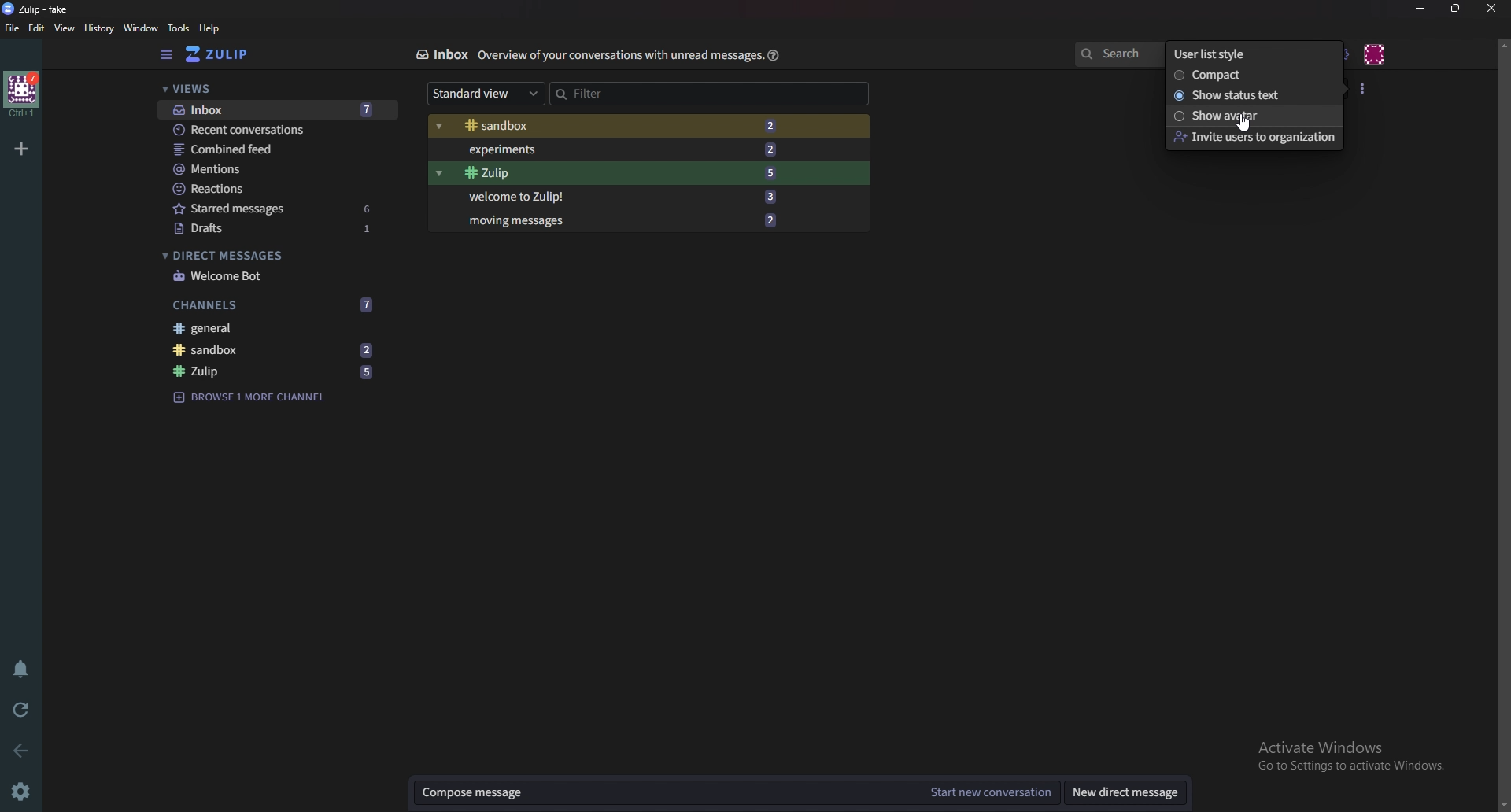  What do you see at coordinates (611, 126) in the screenshot?
I see `sandbox` at bounding box center [611, 126].